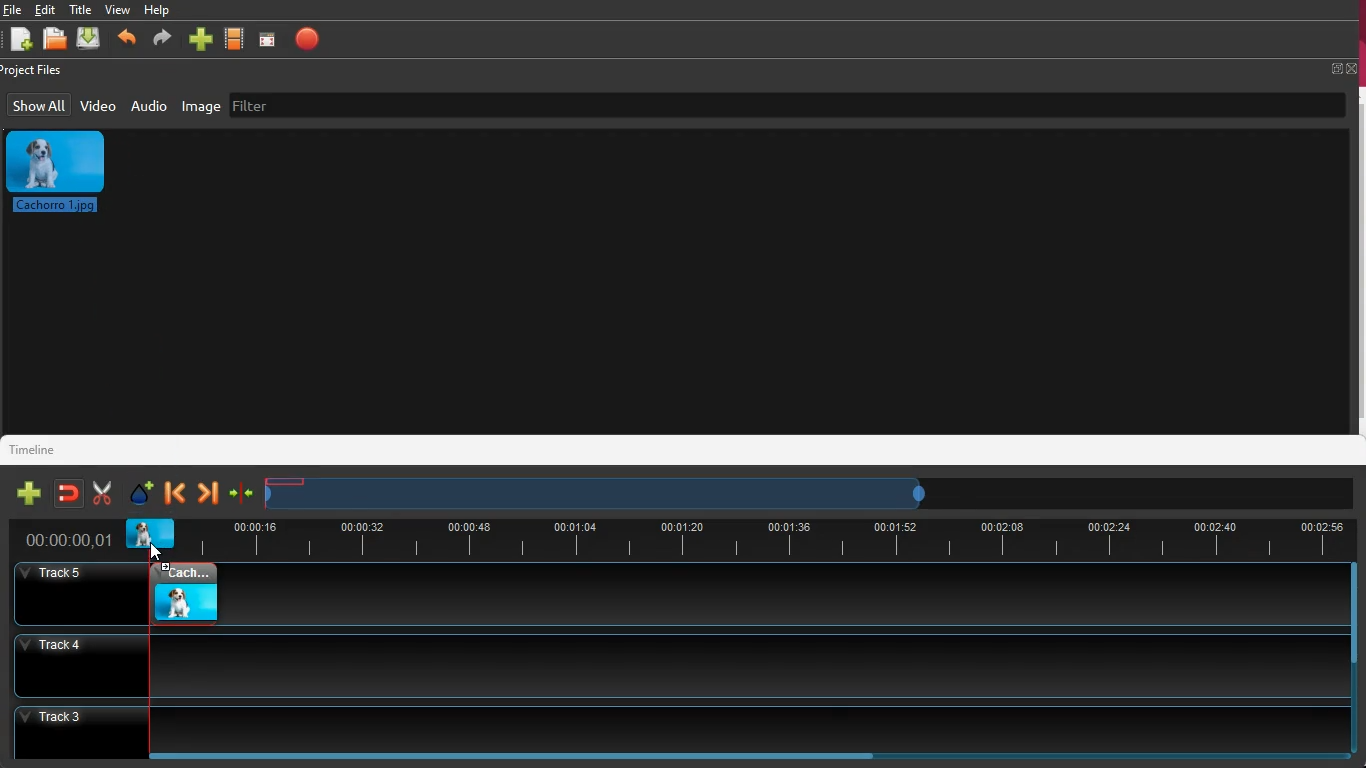 This screenshot has width=1366, height=768. Describe the element at coordinates (257, 108) in the screenshot. I see `filter` at that location.